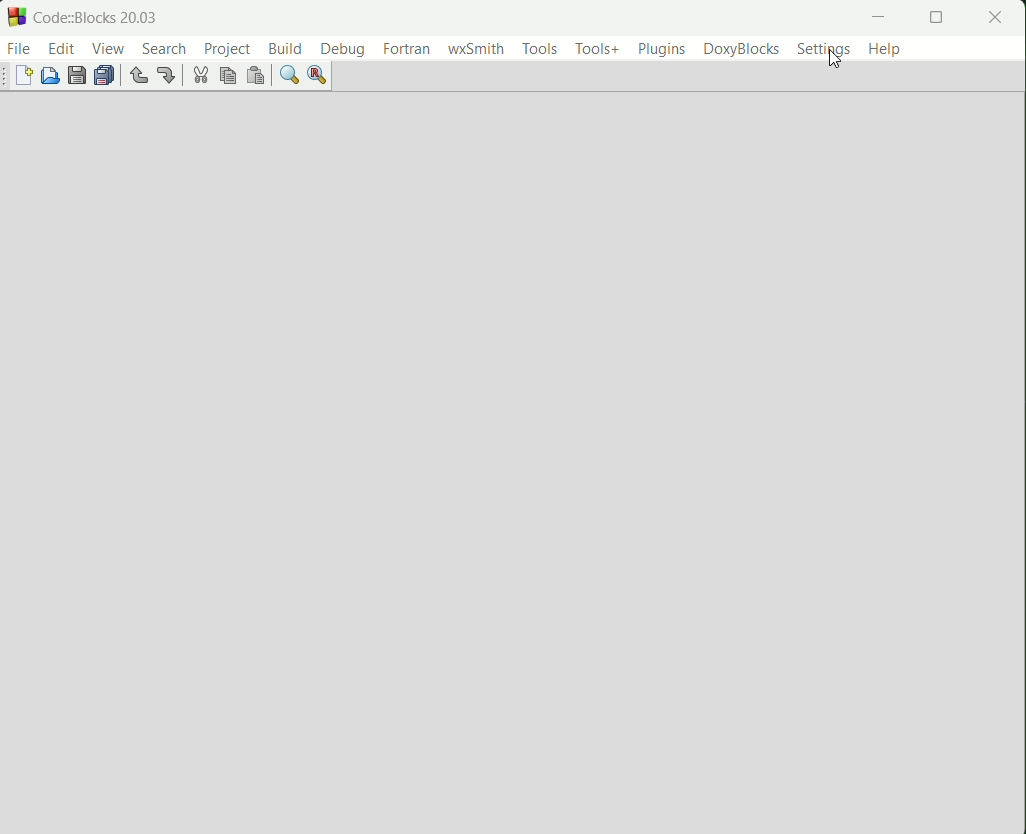 The height and width of the screenshot is (834, 1026). I want to click on open, so click(51, 76).